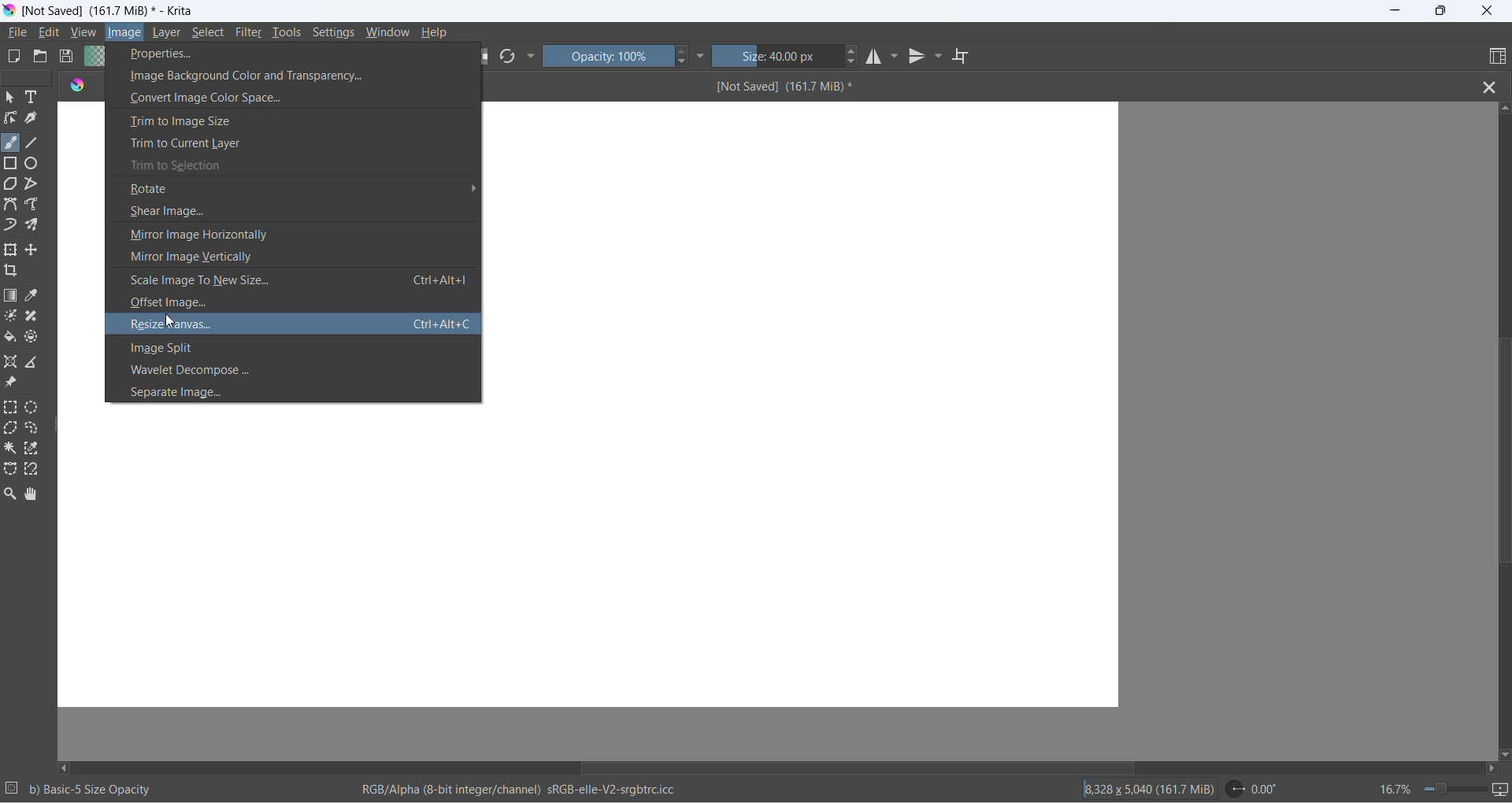 The image size is (1512, 803). Describe the element at coordinates (291, 304) in the screenshot. I see `offset image` at that location.